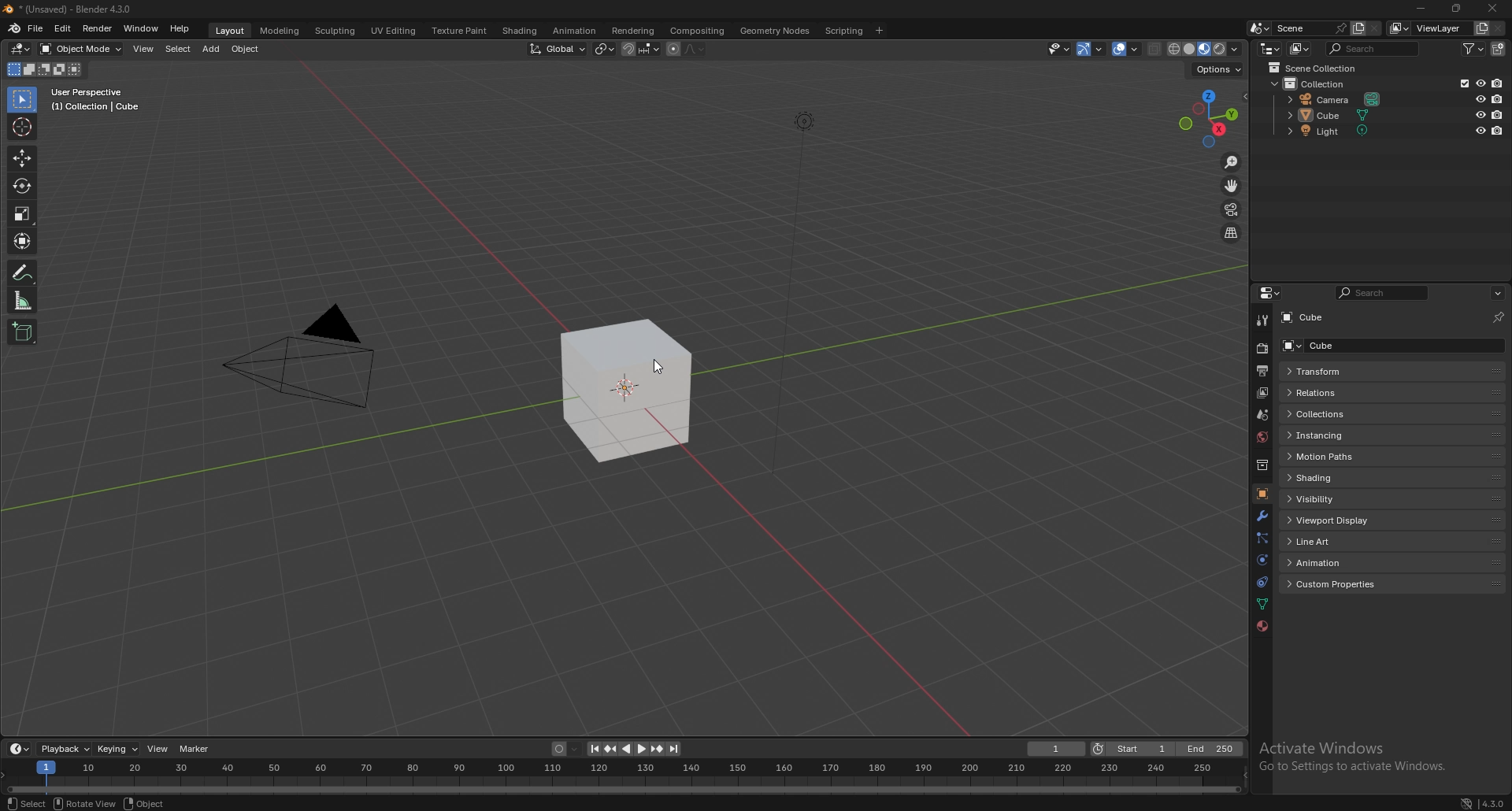 The height and width of the screenshot is (811, 1512). I want to click on play animation, so click(633, 748).